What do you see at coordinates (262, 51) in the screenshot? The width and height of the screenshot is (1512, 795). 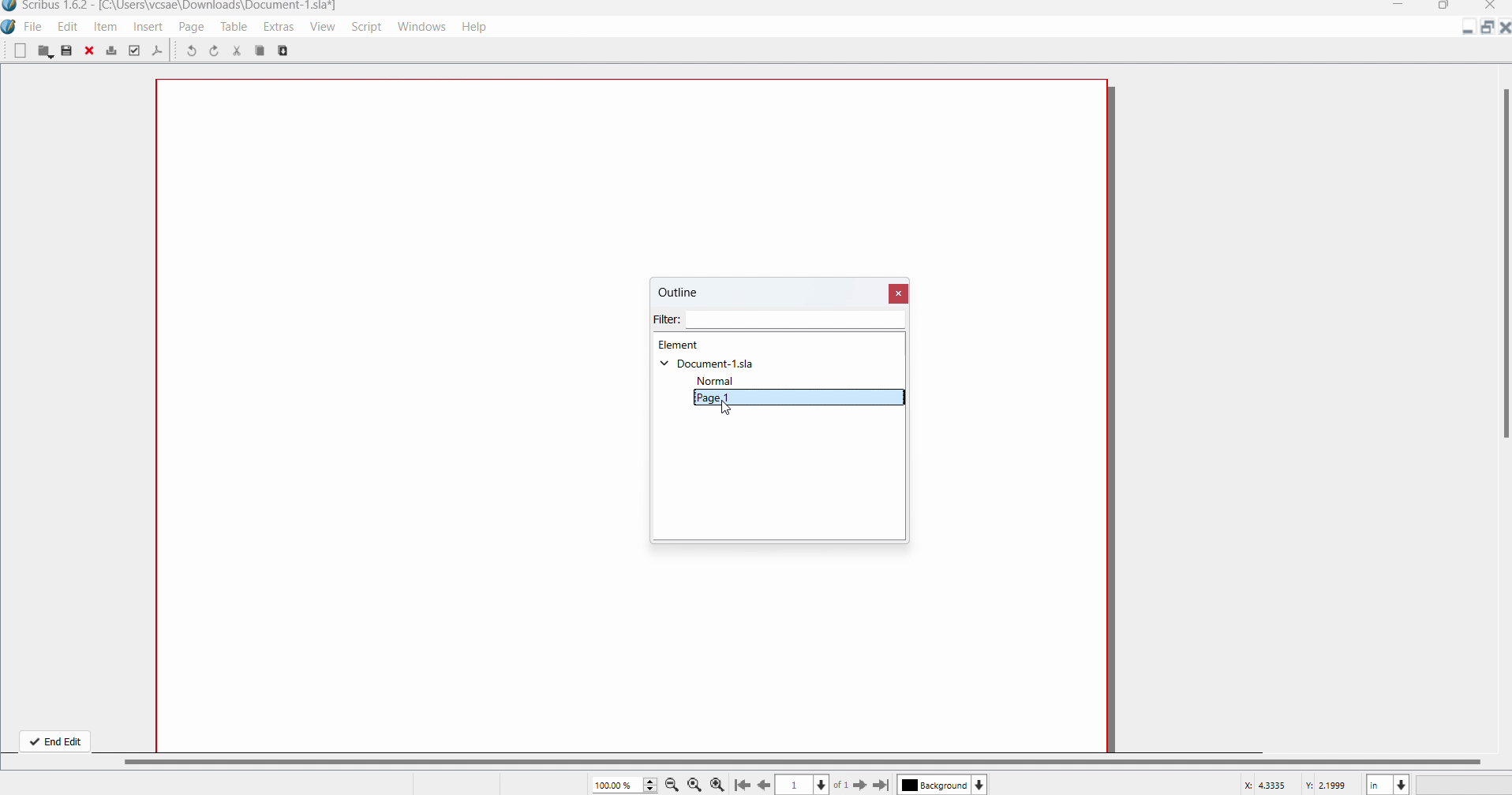 I see `` at bounding box center [262, 51].